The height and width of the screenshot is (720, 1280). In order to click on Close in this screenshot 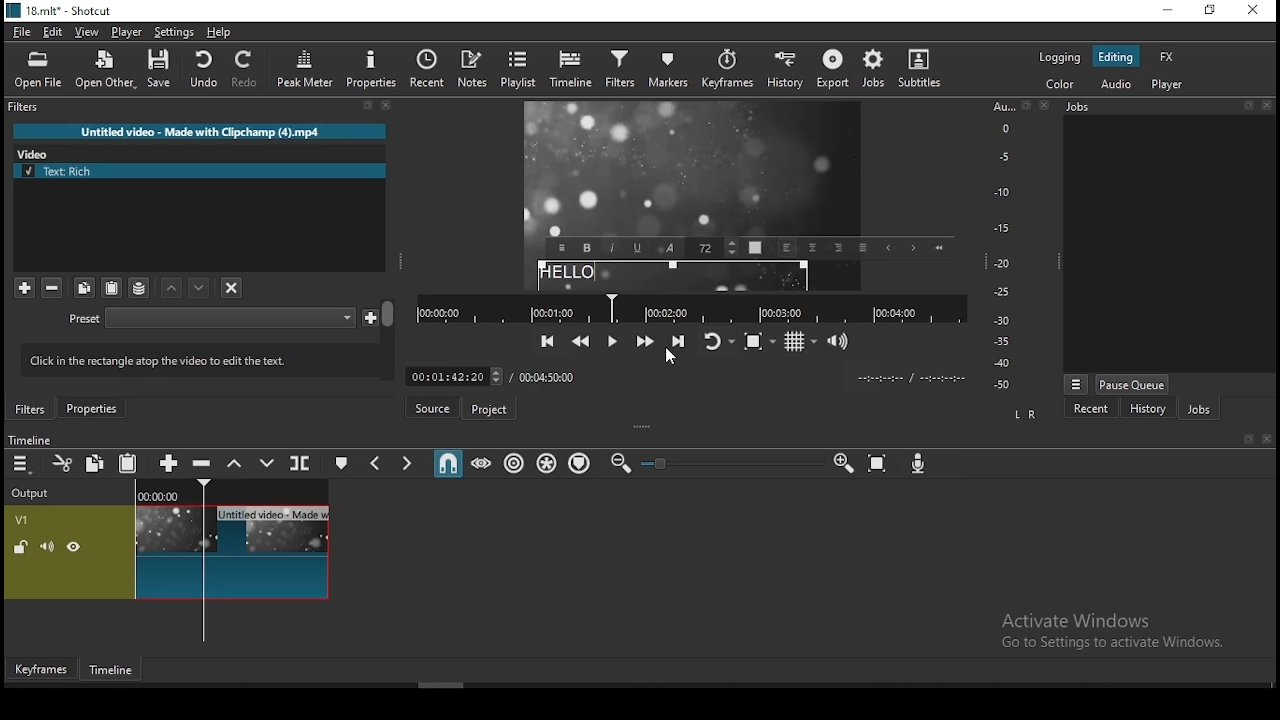, I will do `click(1266, 105)`.